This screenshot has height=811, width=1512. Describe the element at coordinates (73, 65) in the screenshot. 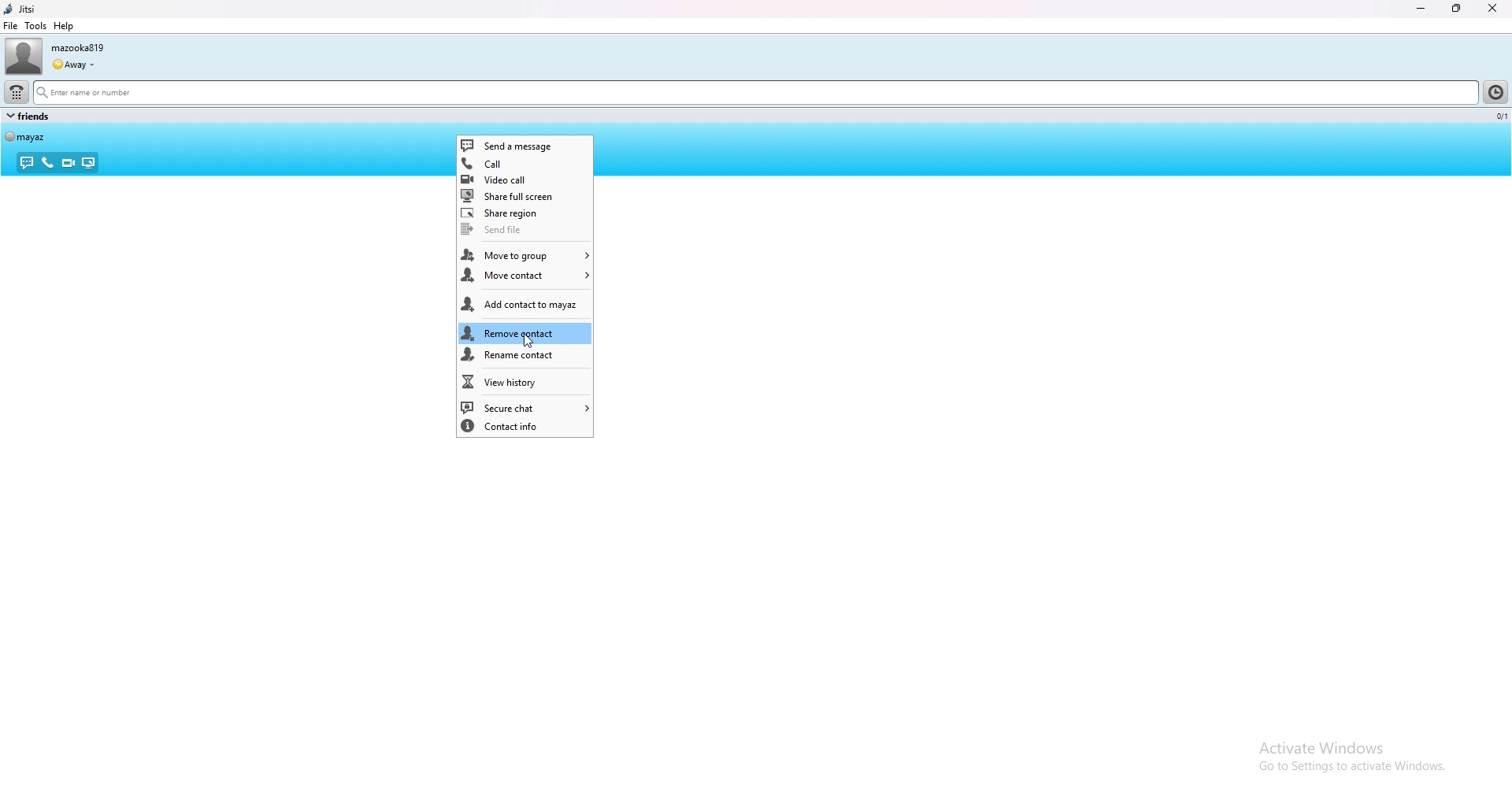

I see `user status` at that location.